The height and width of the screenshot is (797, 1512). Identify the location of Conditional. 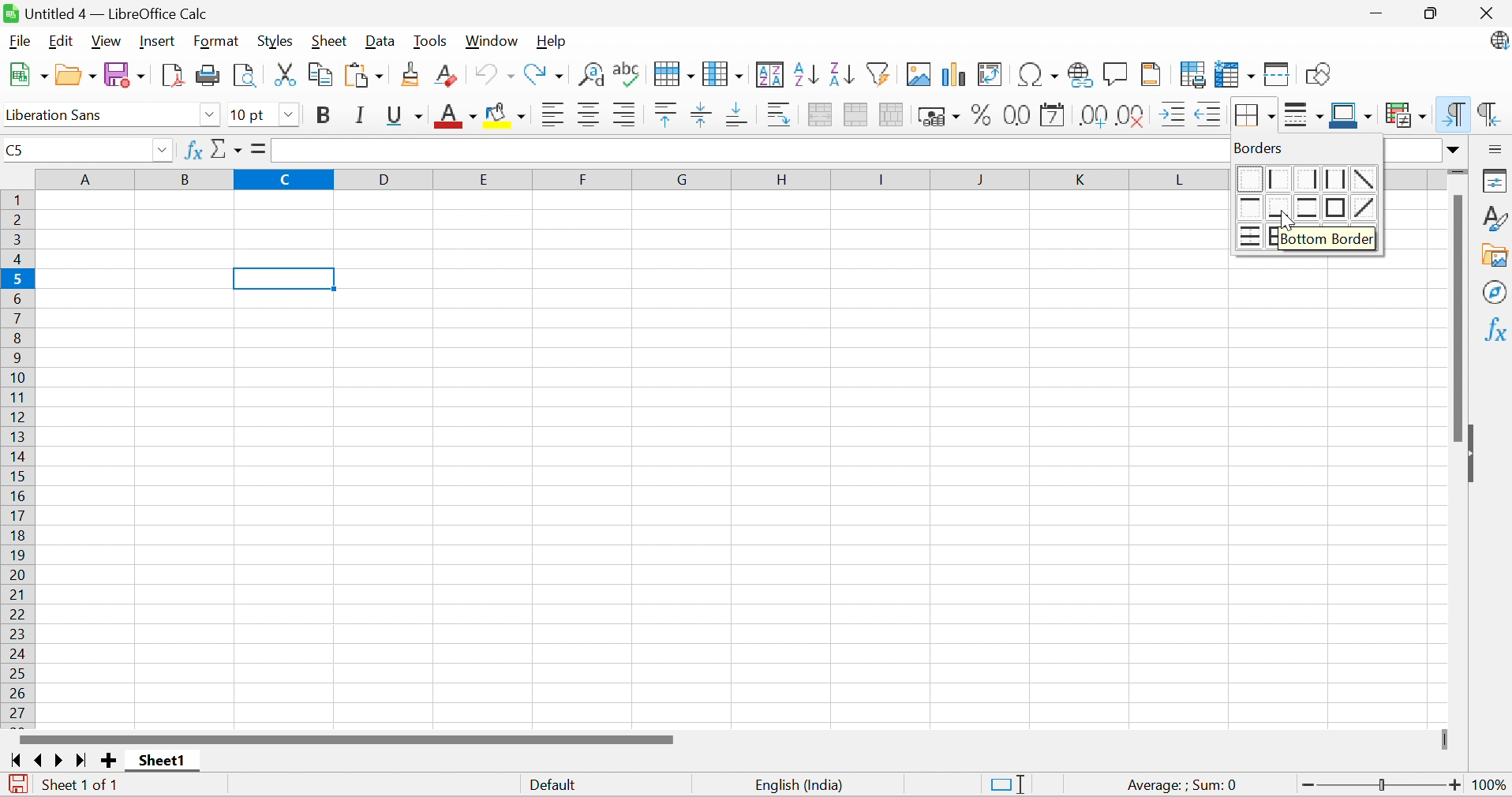
(1407, 115).